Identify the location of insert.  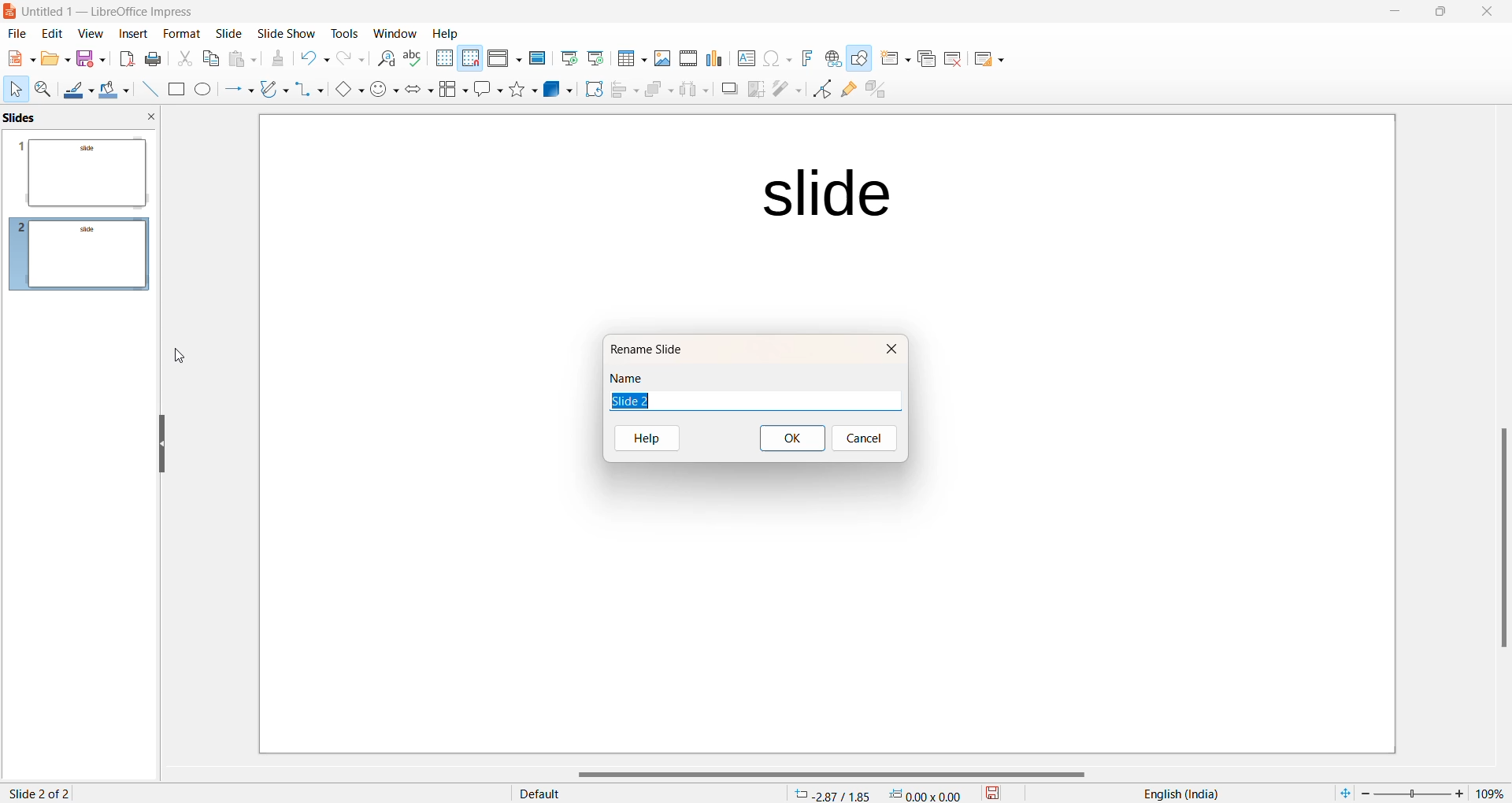
(126, 35).